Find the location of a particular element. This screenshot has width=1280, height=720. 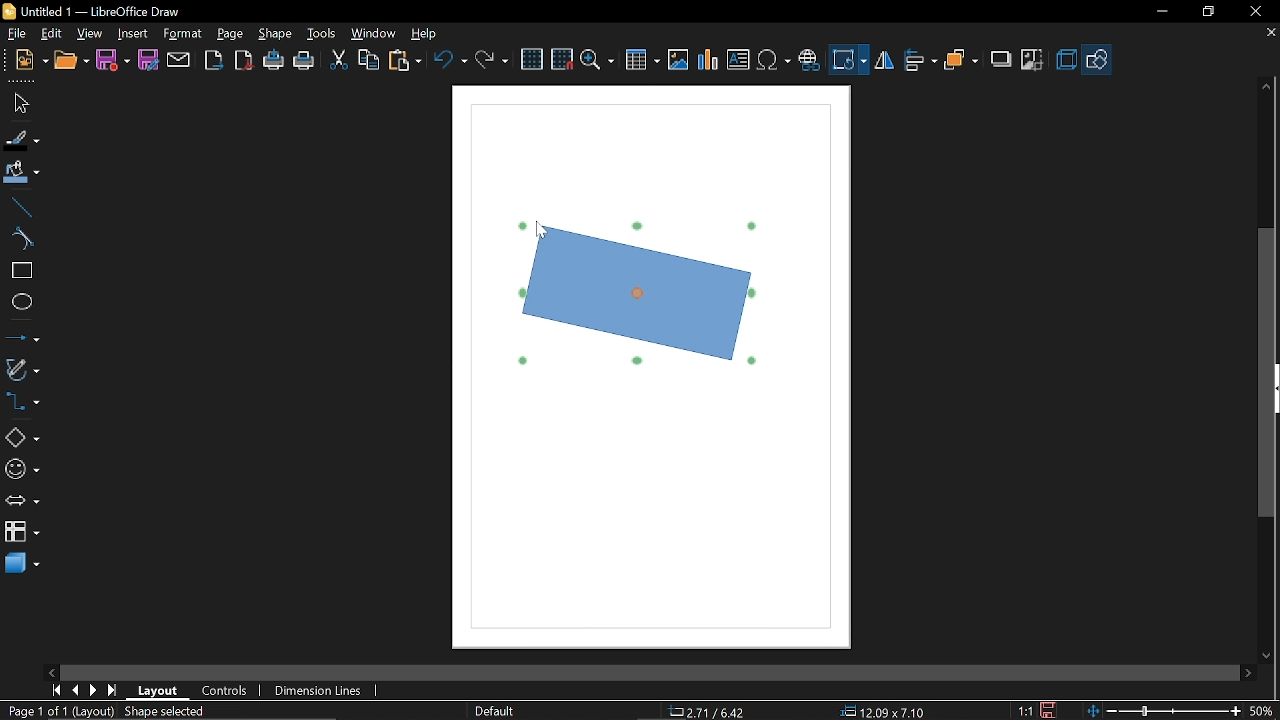

arrows is located at coordinates (22, 503).